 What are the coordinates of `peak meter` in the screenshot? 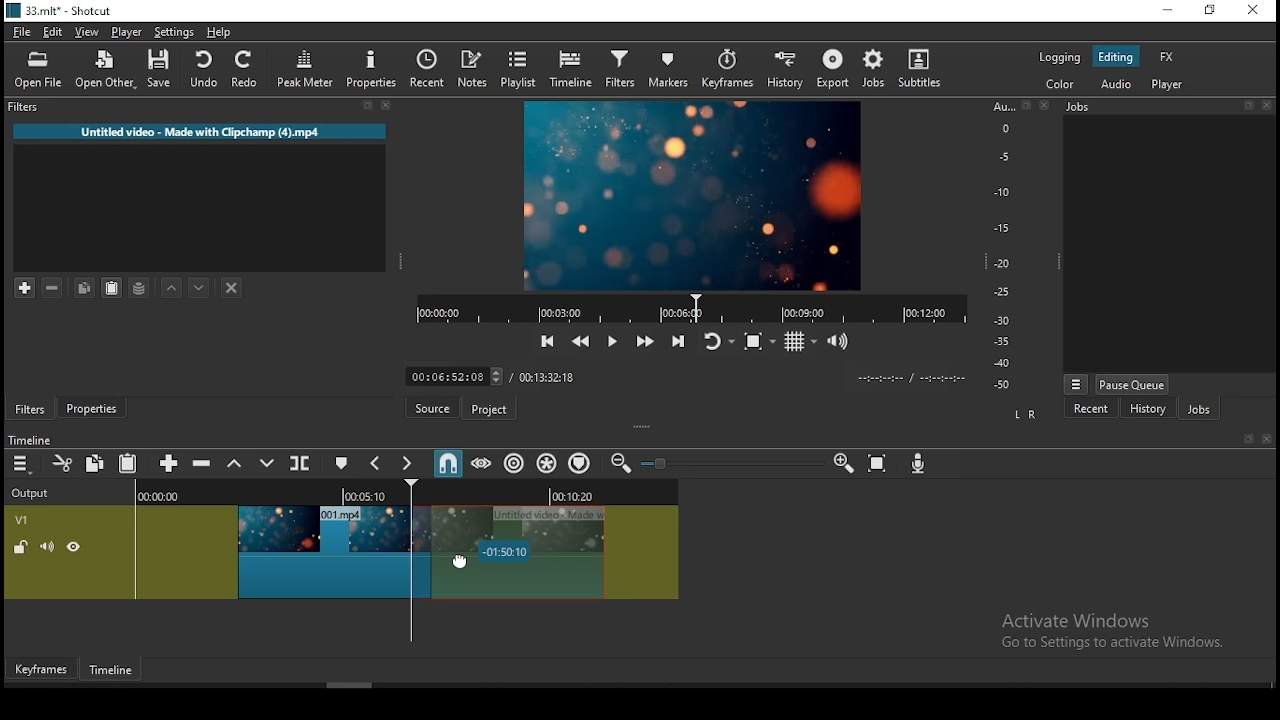 It's located at (307, 69).